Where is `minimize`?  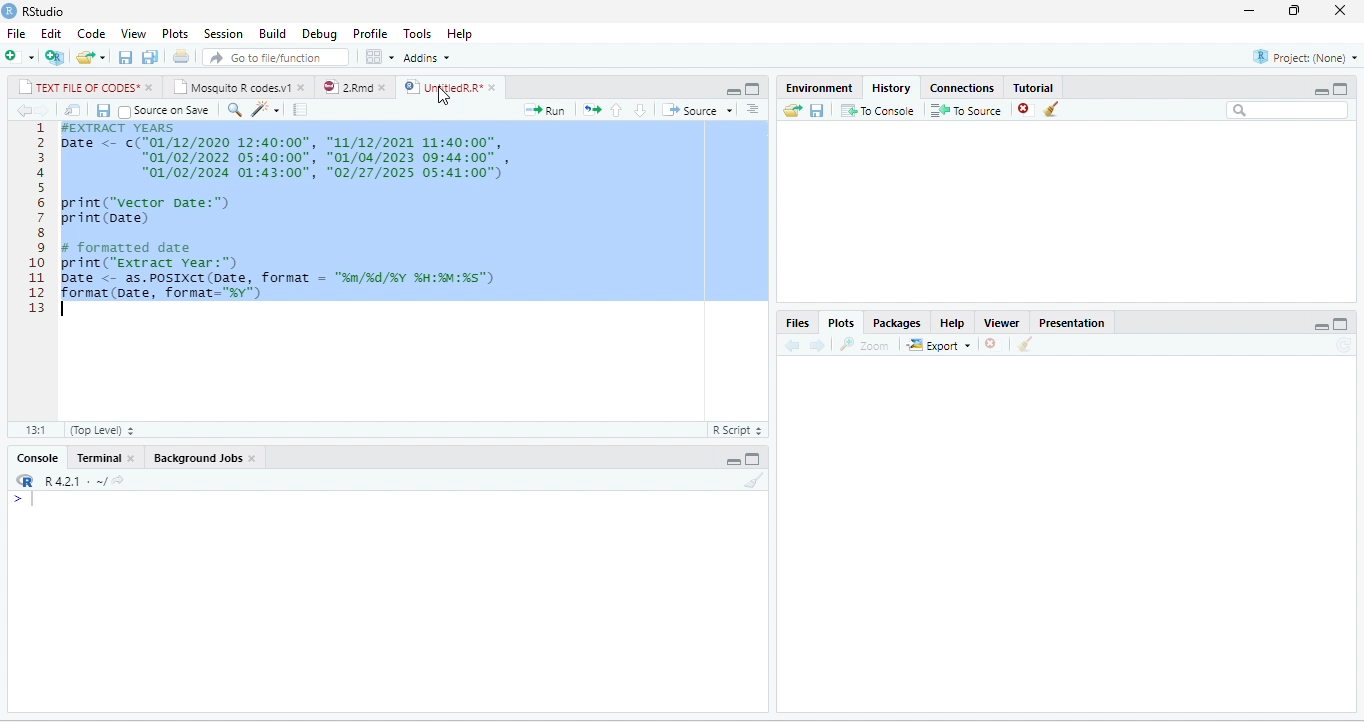 minimize is located at coordinates (733, 91).